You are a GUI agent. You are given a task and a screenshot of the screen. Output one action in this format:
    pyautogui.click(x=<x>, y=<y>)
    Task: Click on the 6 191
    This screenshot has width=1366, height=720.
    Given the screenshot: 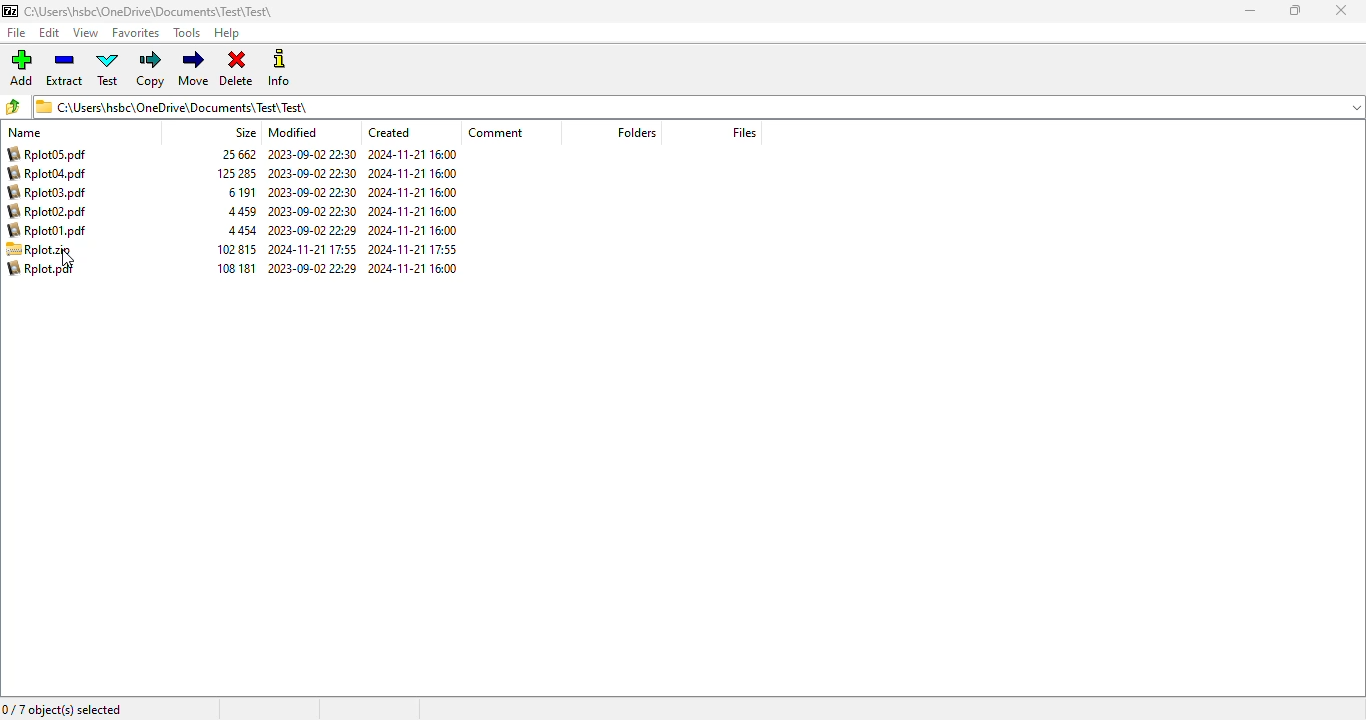 What is the action you would take?
    pyautogui.click(x=242, y=193)
    